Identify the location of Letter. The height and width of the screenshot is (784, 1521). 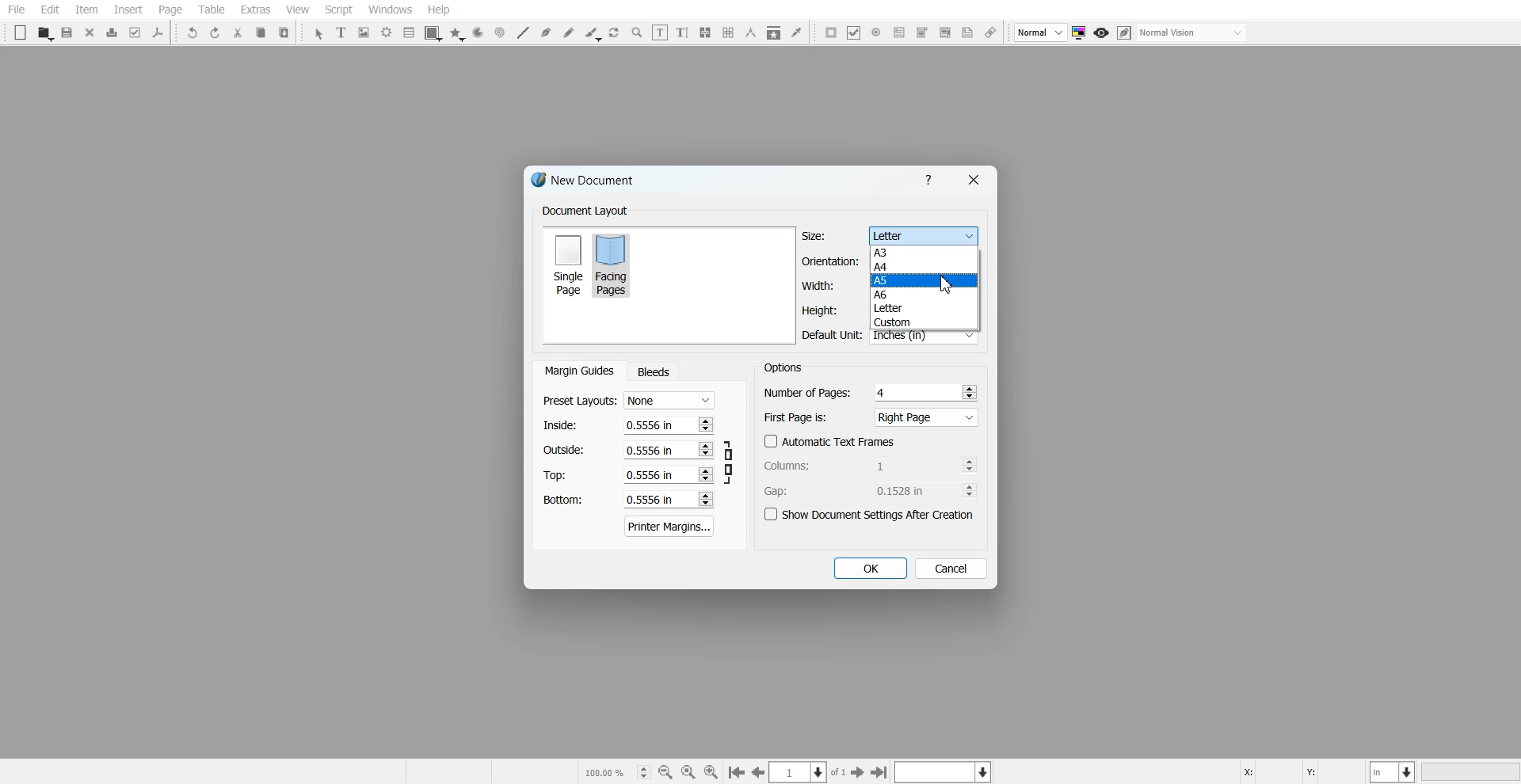
(924, 235).